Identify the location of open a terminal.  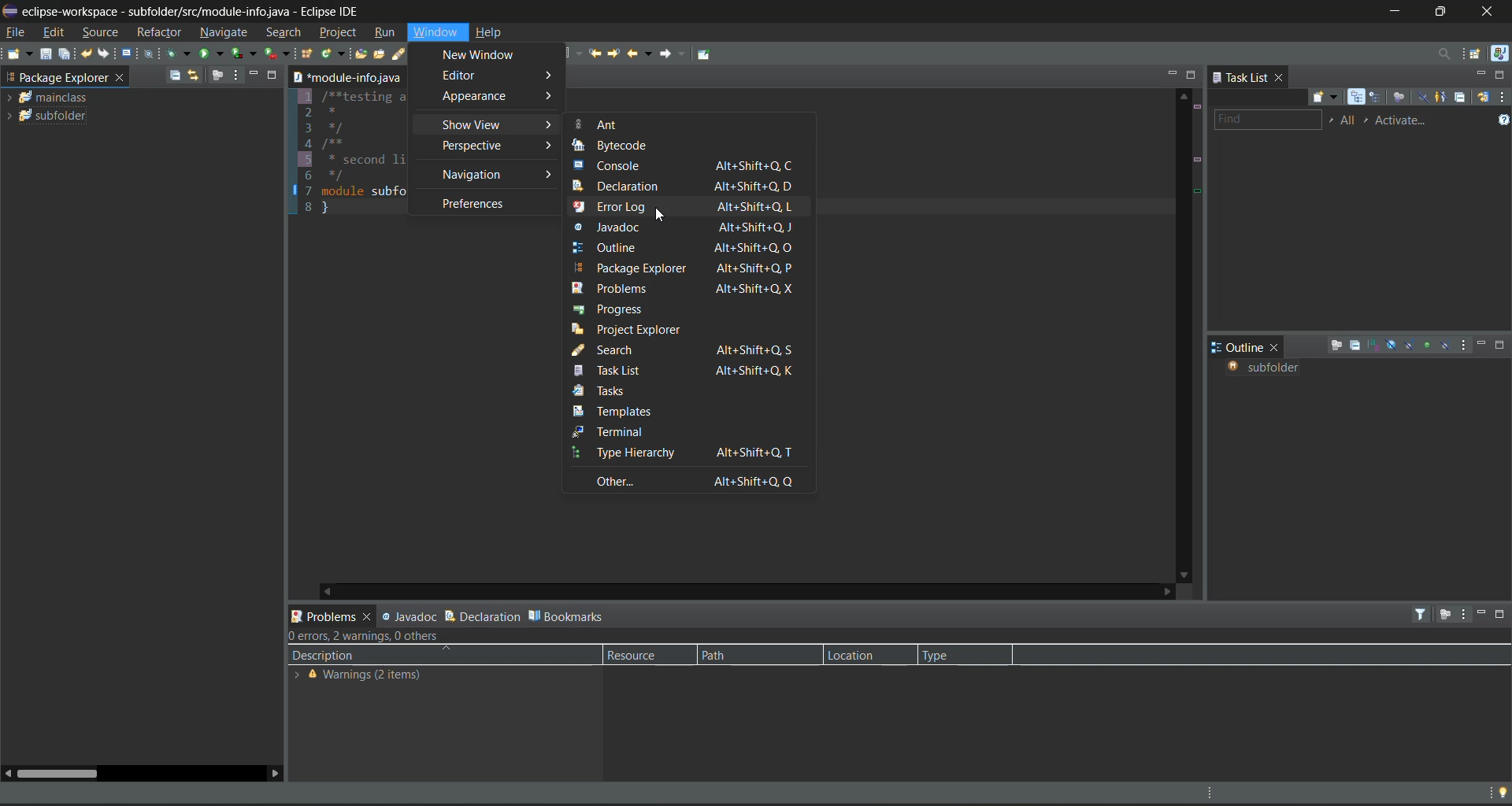
(127, 54).